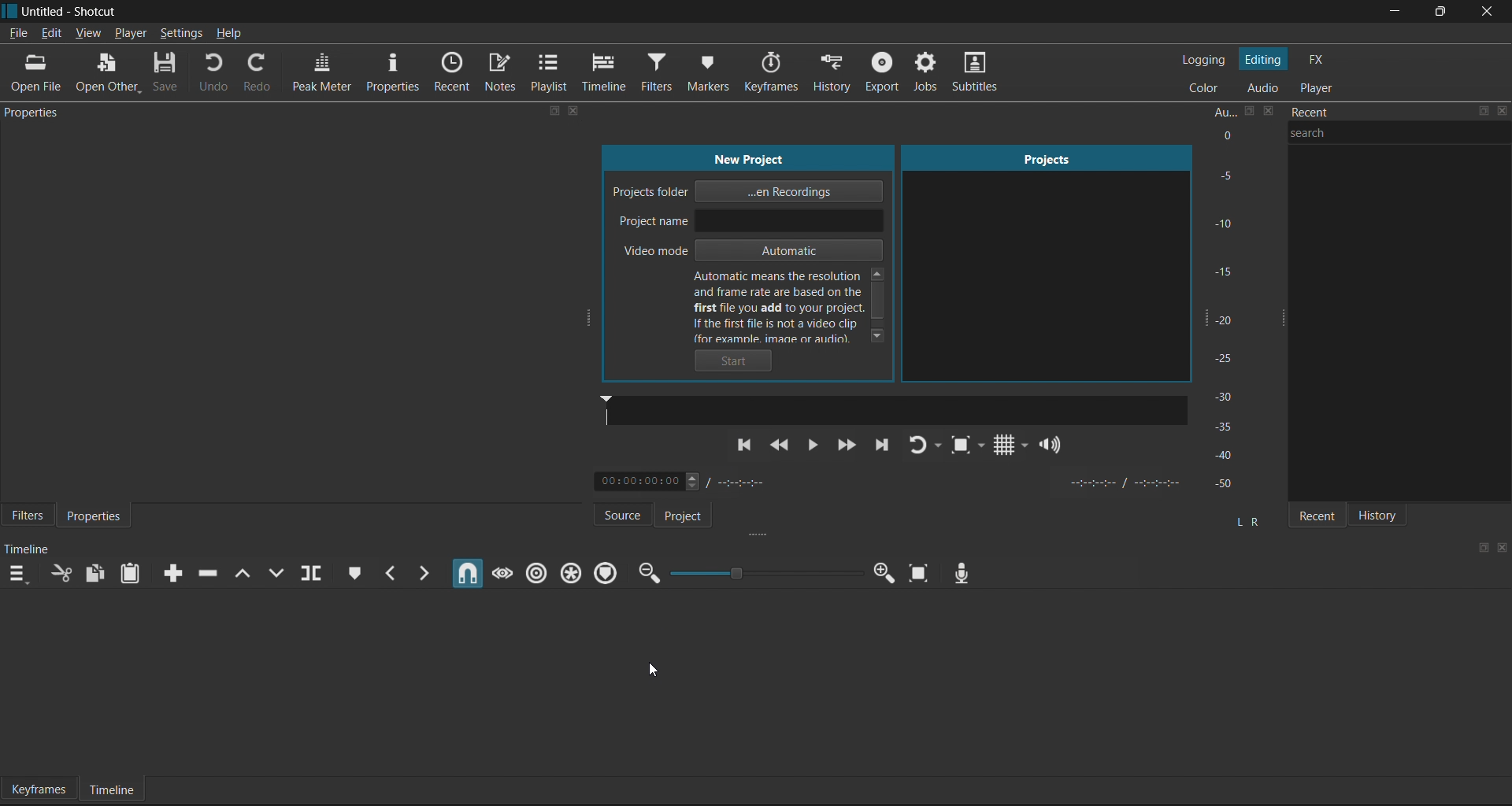 Image resolution: width=1512 pixels, height=806 pixels. I want to click on properties, so click(36, 113).